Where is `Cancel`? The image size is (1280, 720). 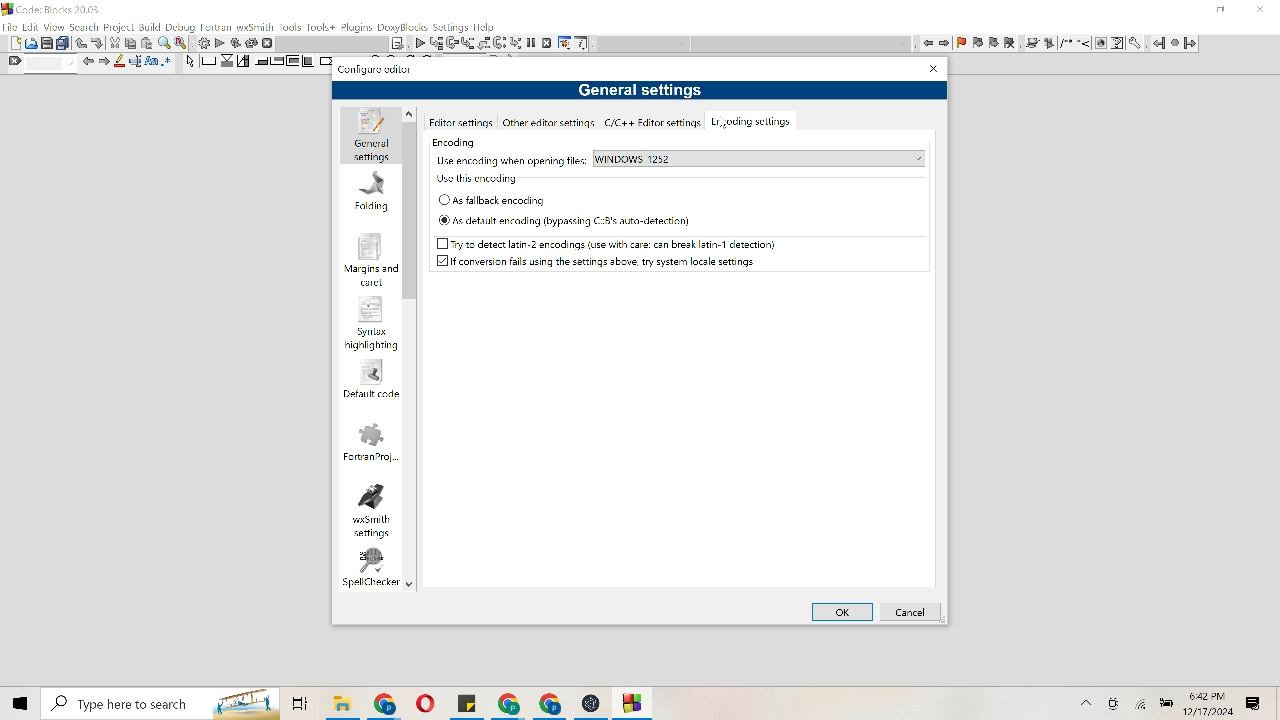
Cancel is located at coordinates (268, 43).